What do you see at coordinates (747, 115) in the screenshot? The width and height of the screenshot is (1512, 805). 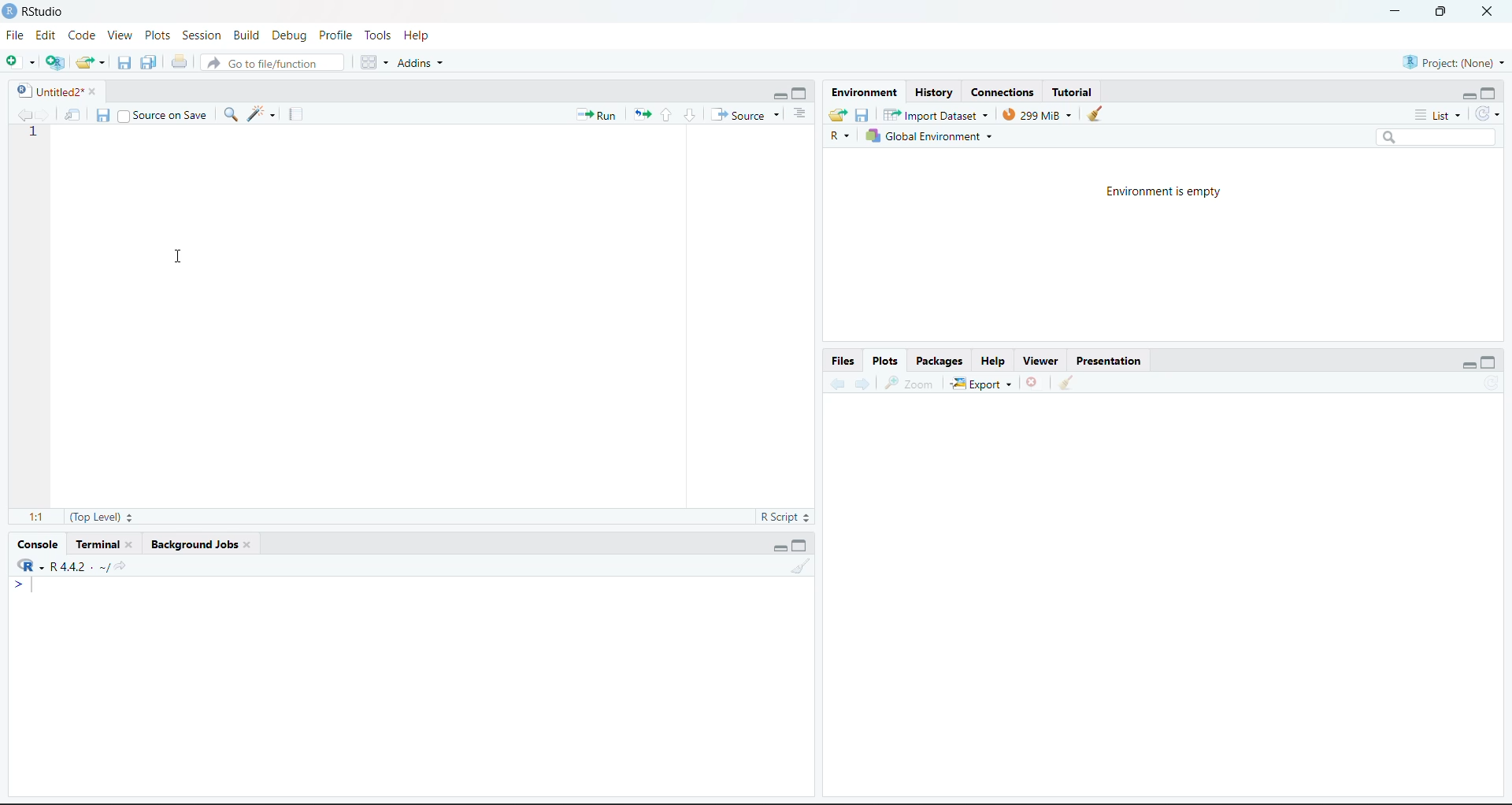 I see `source` at bounding box center [747, 115].